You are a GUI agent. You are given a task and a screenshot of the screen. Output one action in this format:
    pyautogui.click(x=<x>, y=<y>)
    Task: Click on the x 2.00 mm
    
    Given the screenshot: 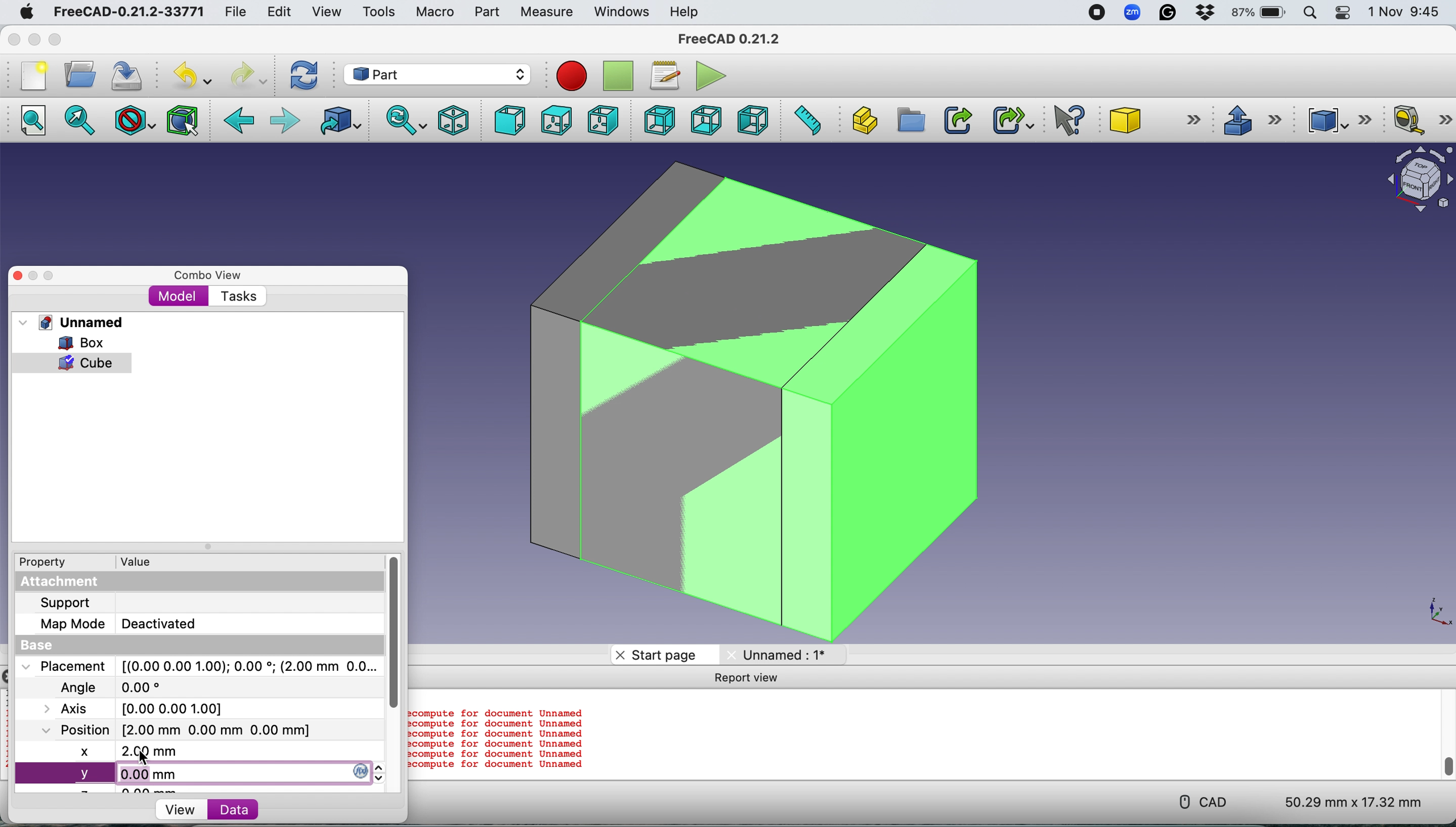 What is the action you would take?
    pyautogui.click(x=192, y=751)
    